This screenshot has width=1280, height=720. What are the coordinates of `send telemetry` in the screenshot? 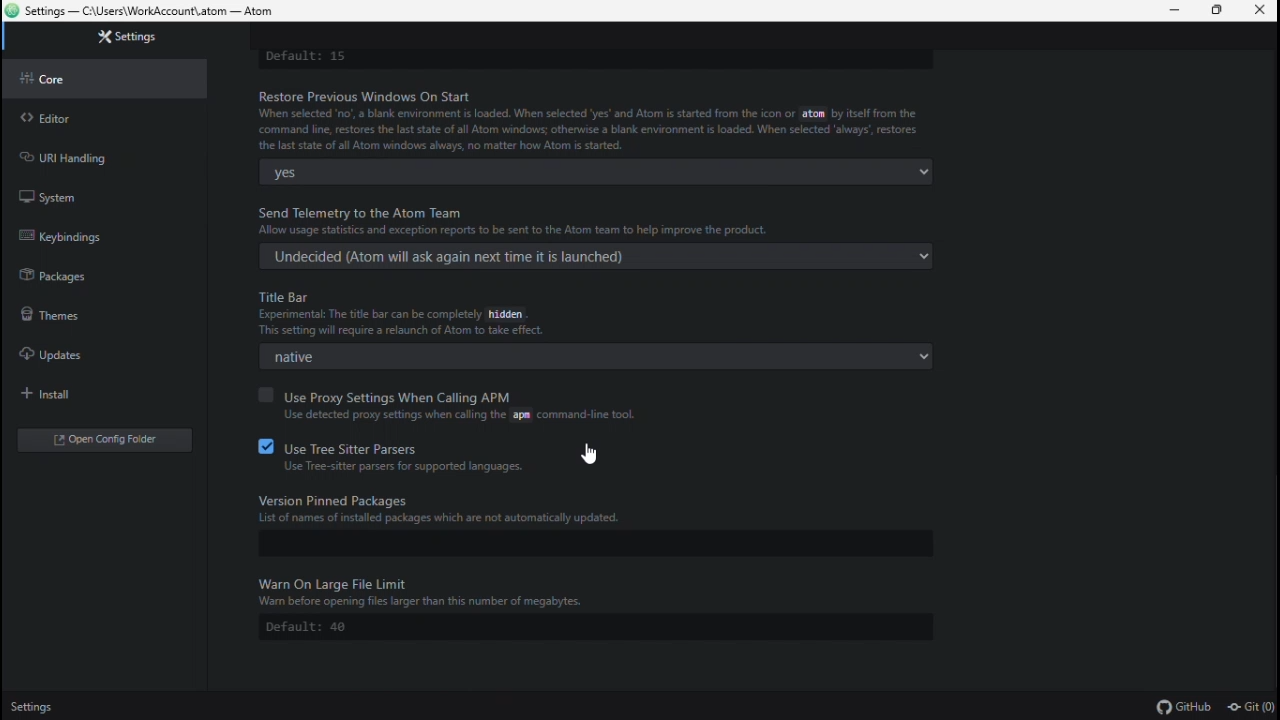 It's located at (603, 220).